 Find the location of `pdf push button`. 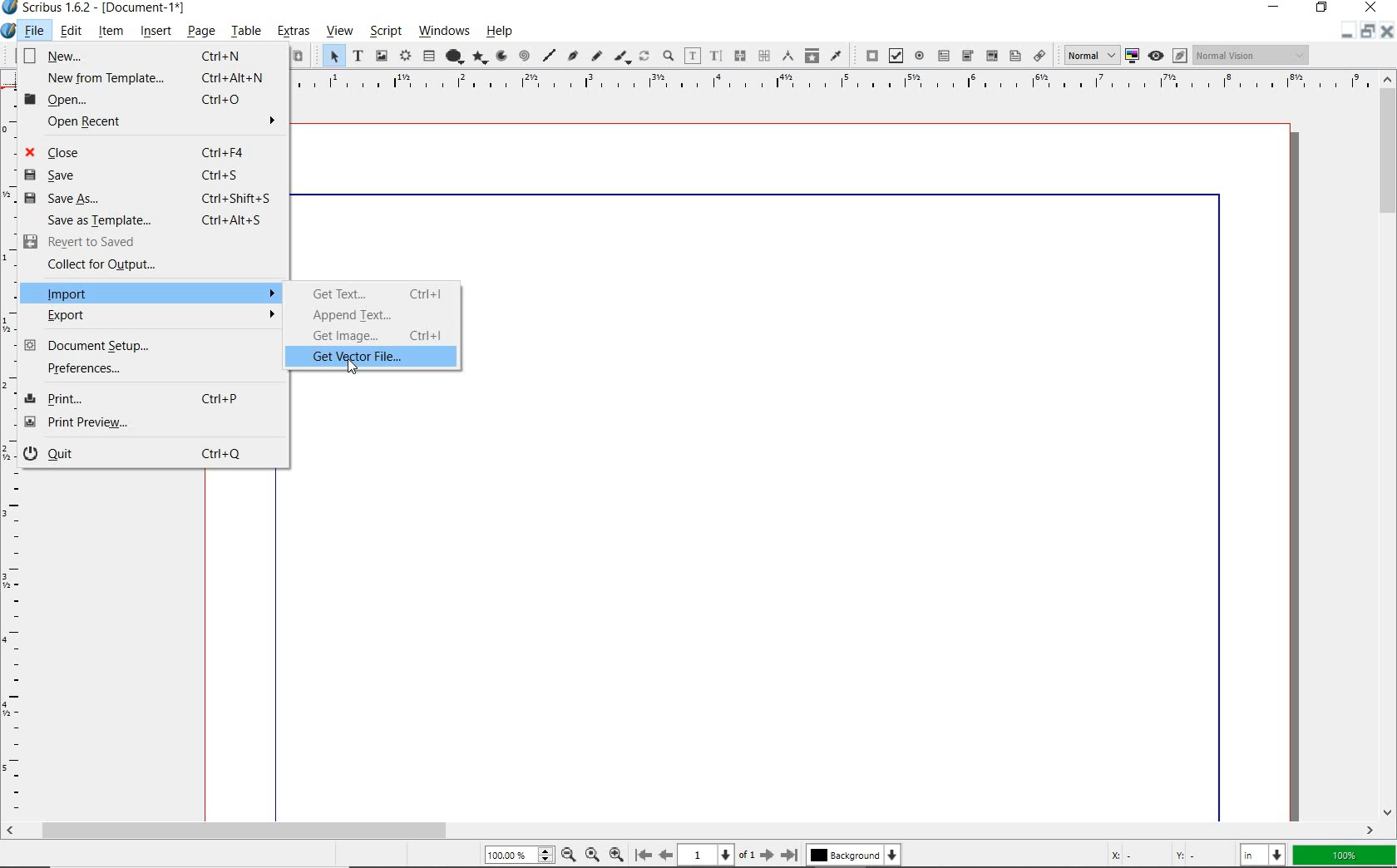

pdf push button is located at coordinates (866, 55).